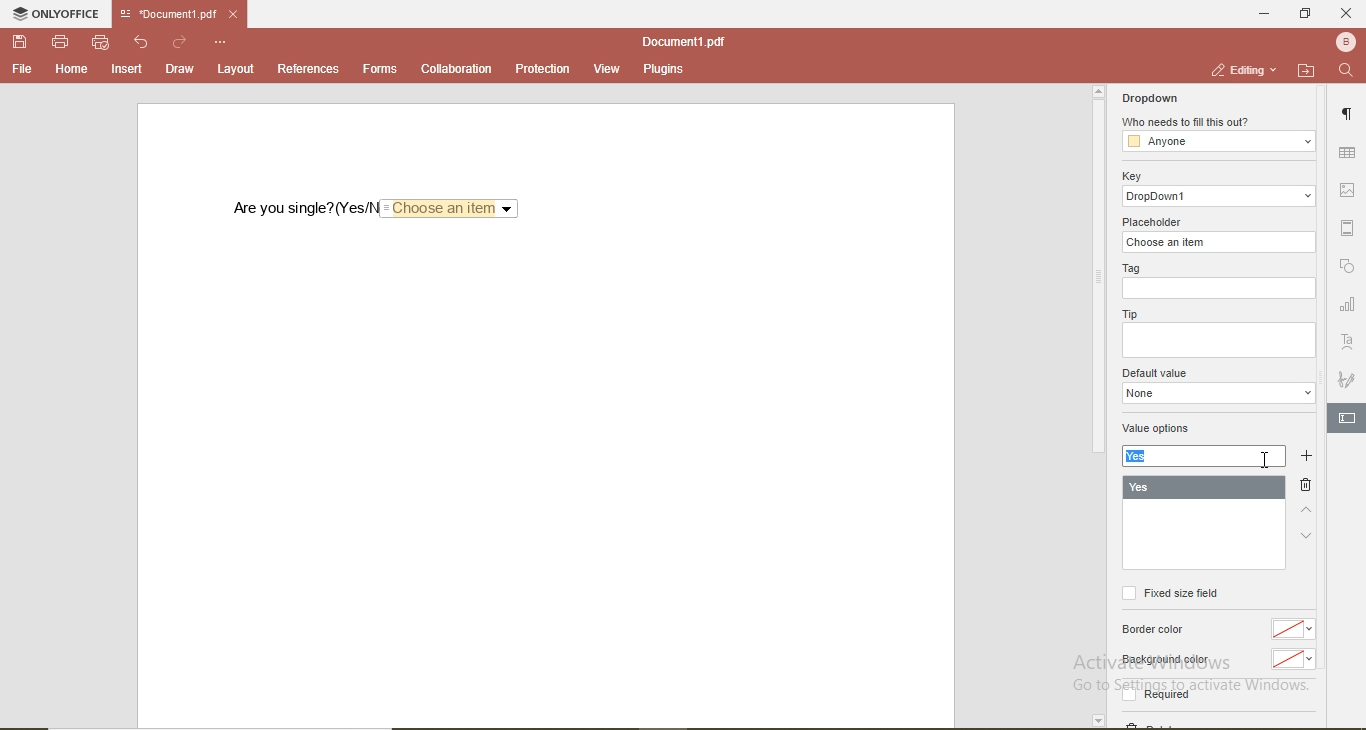 Image resolution: width=1366 pixels, height=730 pixels. Describe the element at coordinates (1151, 99) in the screenshot. I see `dropdown` at that location.